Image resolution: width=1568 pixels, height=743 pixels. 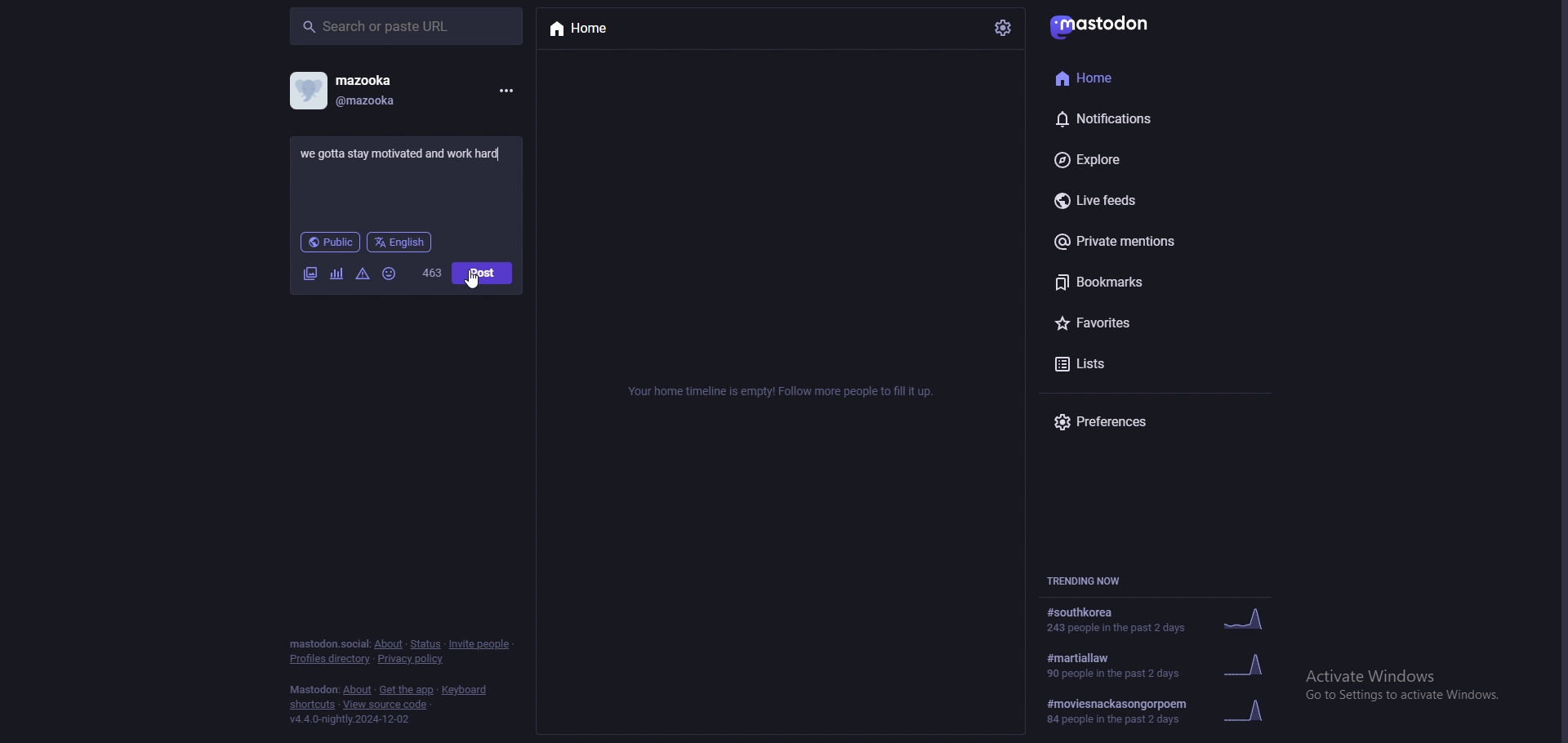 I want to click on favorites, so click(x=1138, y=322).